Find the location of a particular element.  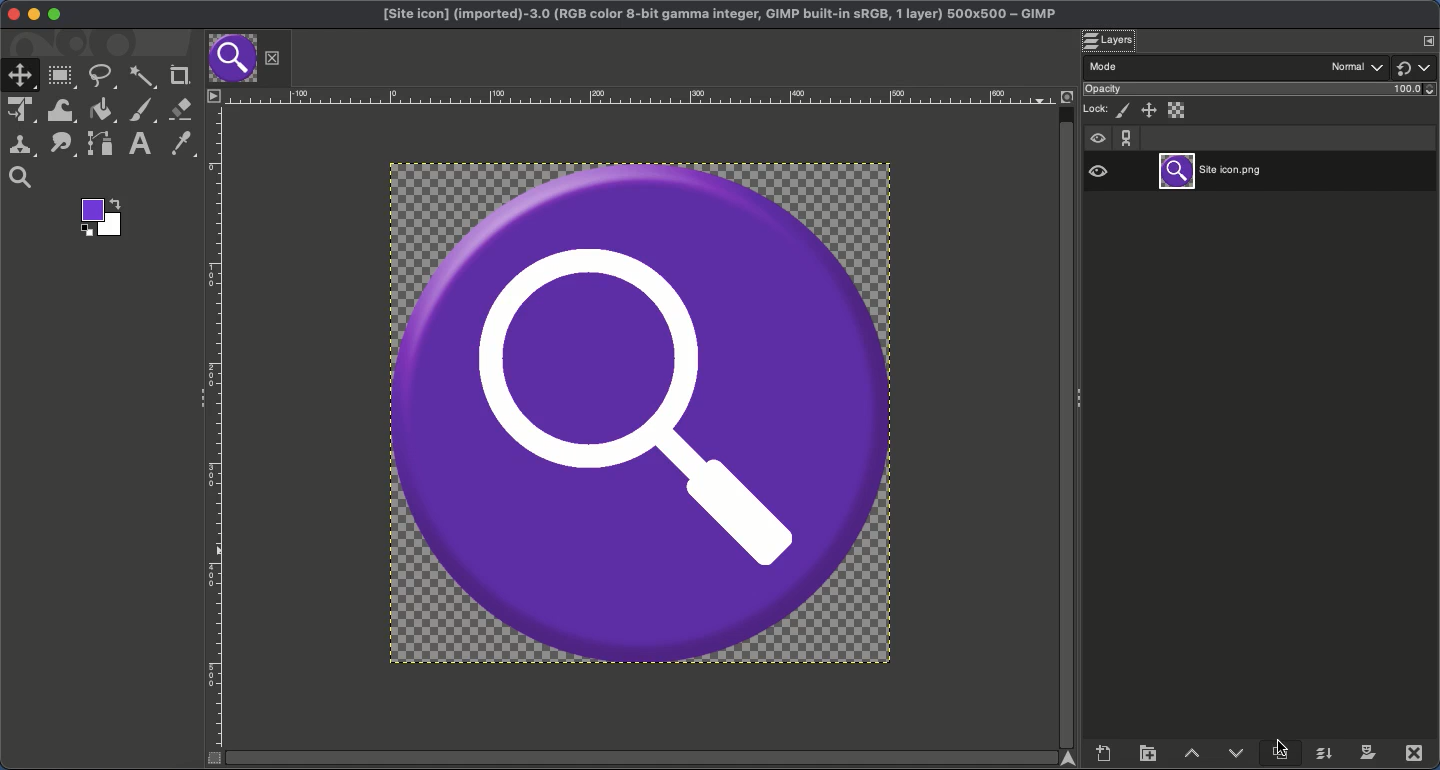

Create a new layer is located at coordinates (1104, 751).